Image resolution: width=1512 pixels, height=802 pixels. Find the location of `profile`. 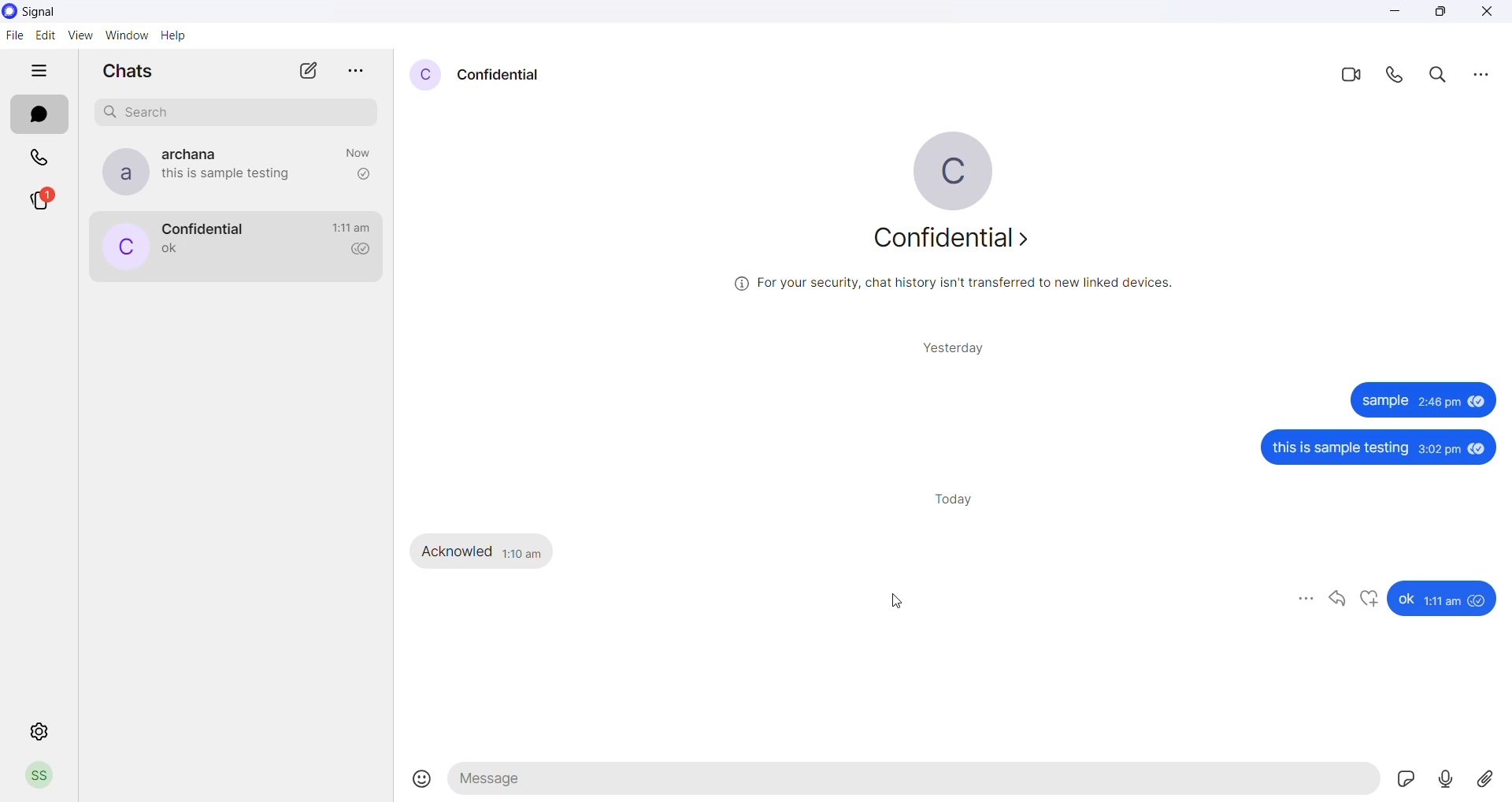

profile is located at coordinates (39, 778).